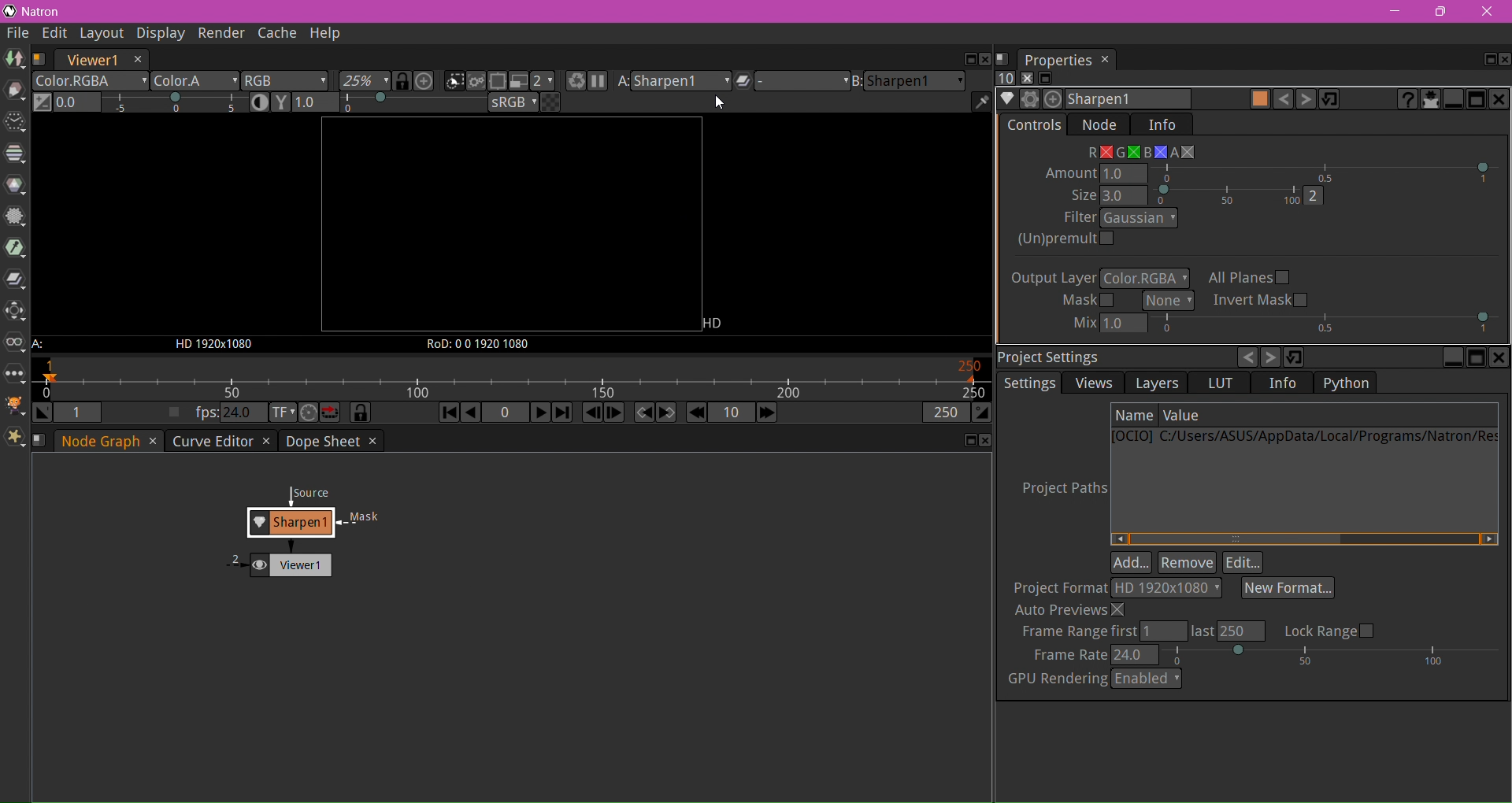  What do you see at coordinates (1169, 301) in the screenshot?
I see `maskChannel_Mask` at bounding box center [1169, 301].